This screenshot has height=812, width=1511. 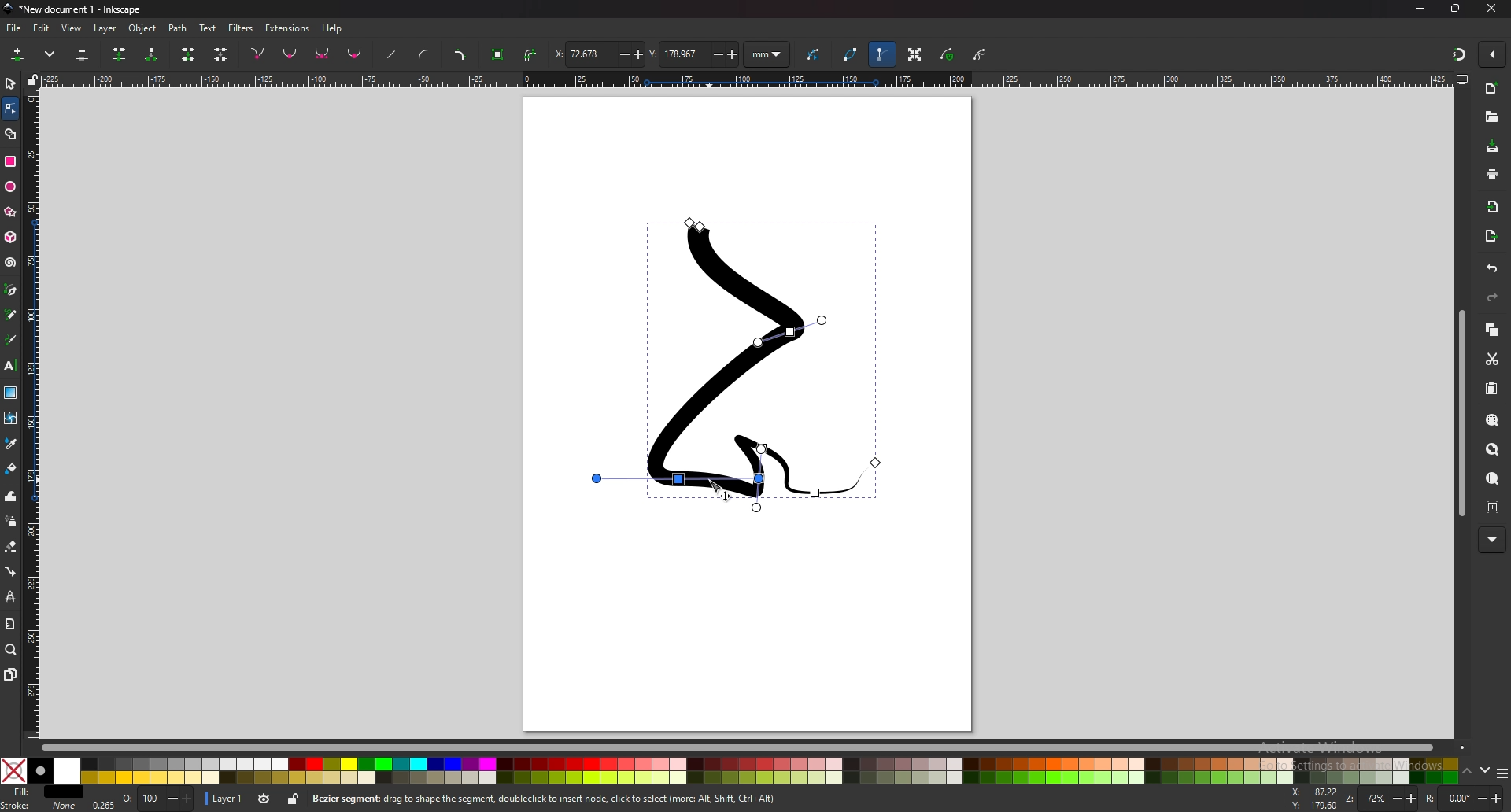 I want to click on resize, so click(x=1457, y=9).